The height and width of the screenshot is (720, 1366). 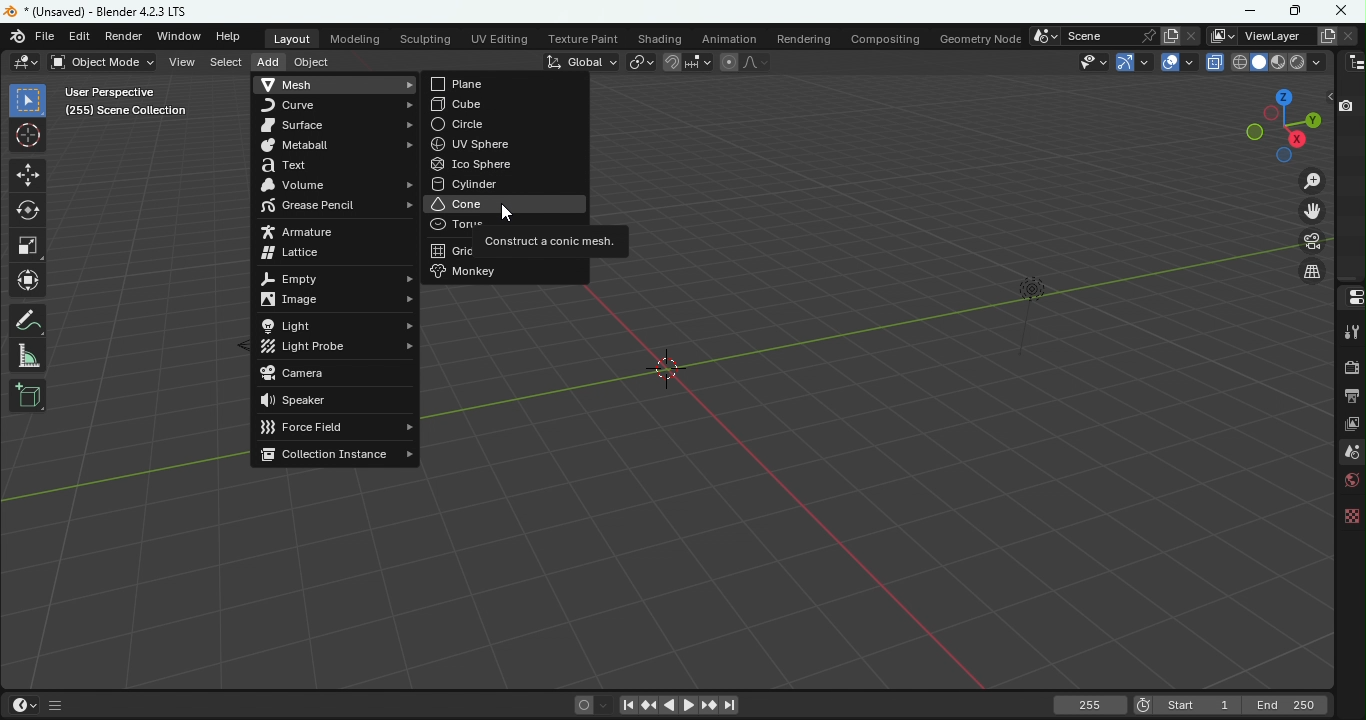 What do you see at coordinates (1044, 36) in the screenshot?
I see `Browse scene to be linked` at bounding box center [1044, 36].